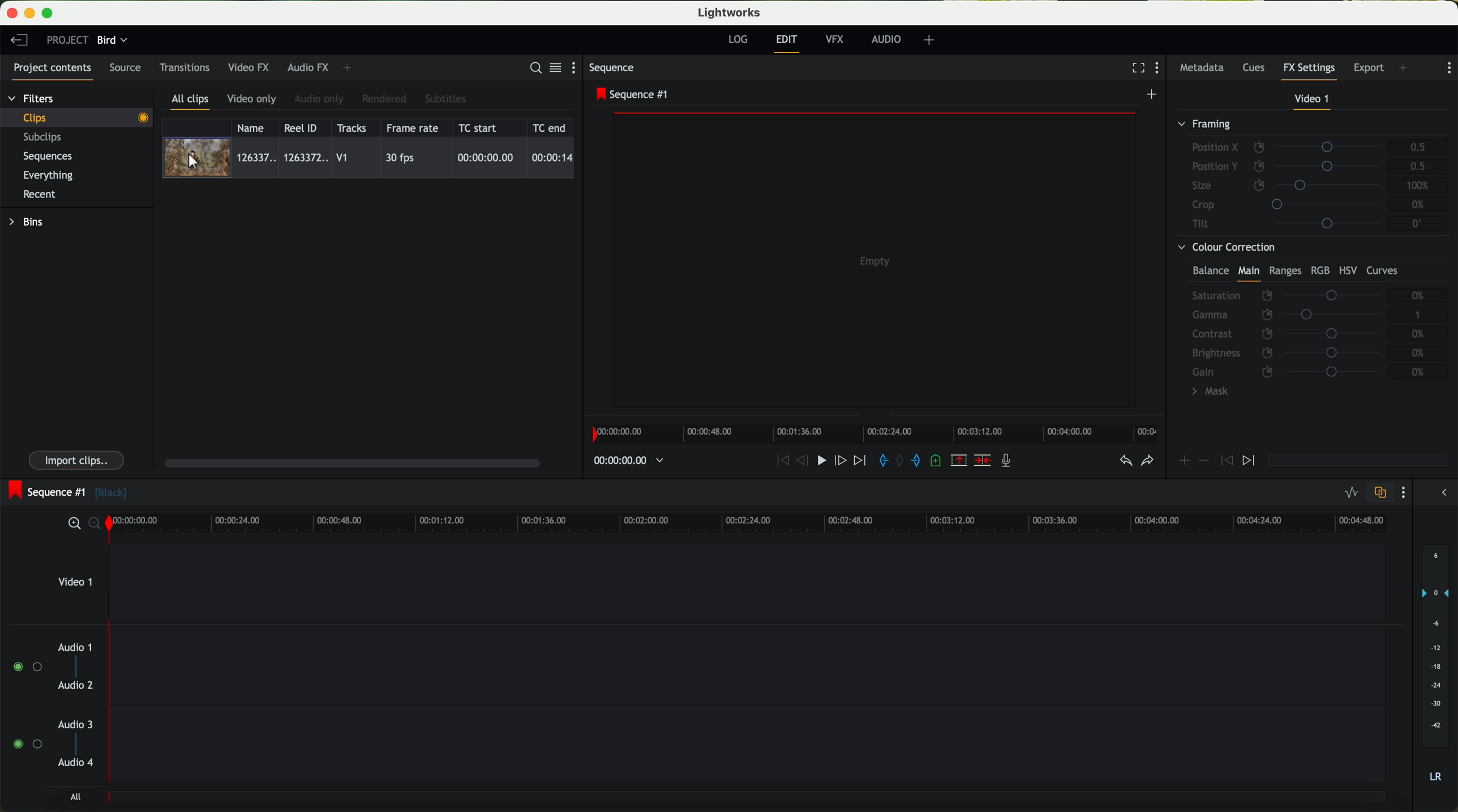 The image size is (1458, 812). I want to click on delete/cut, so click(983, 461).